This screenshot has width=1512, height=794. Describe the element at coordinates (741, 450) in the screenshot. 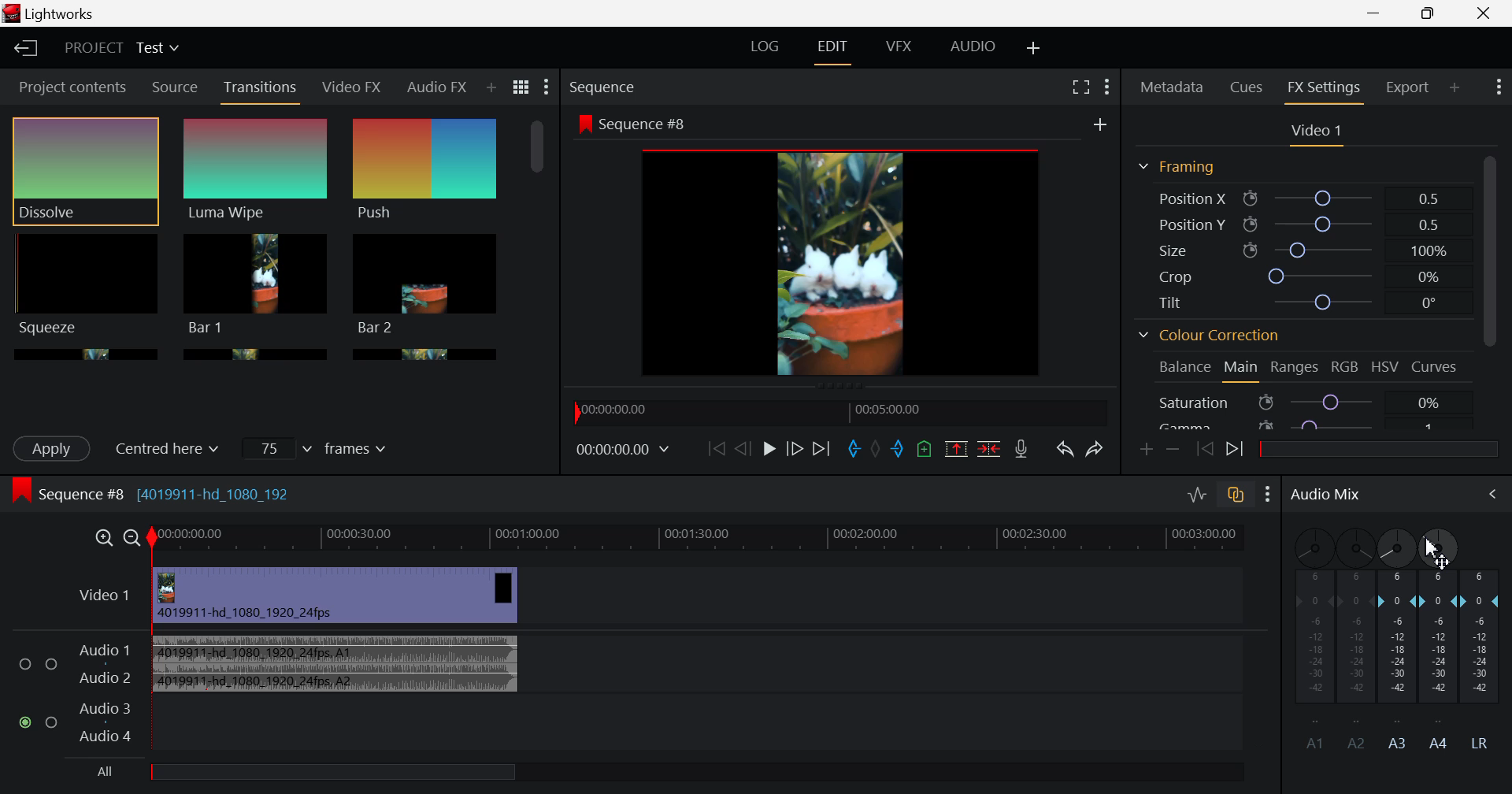

I see `Go Back` at that location.